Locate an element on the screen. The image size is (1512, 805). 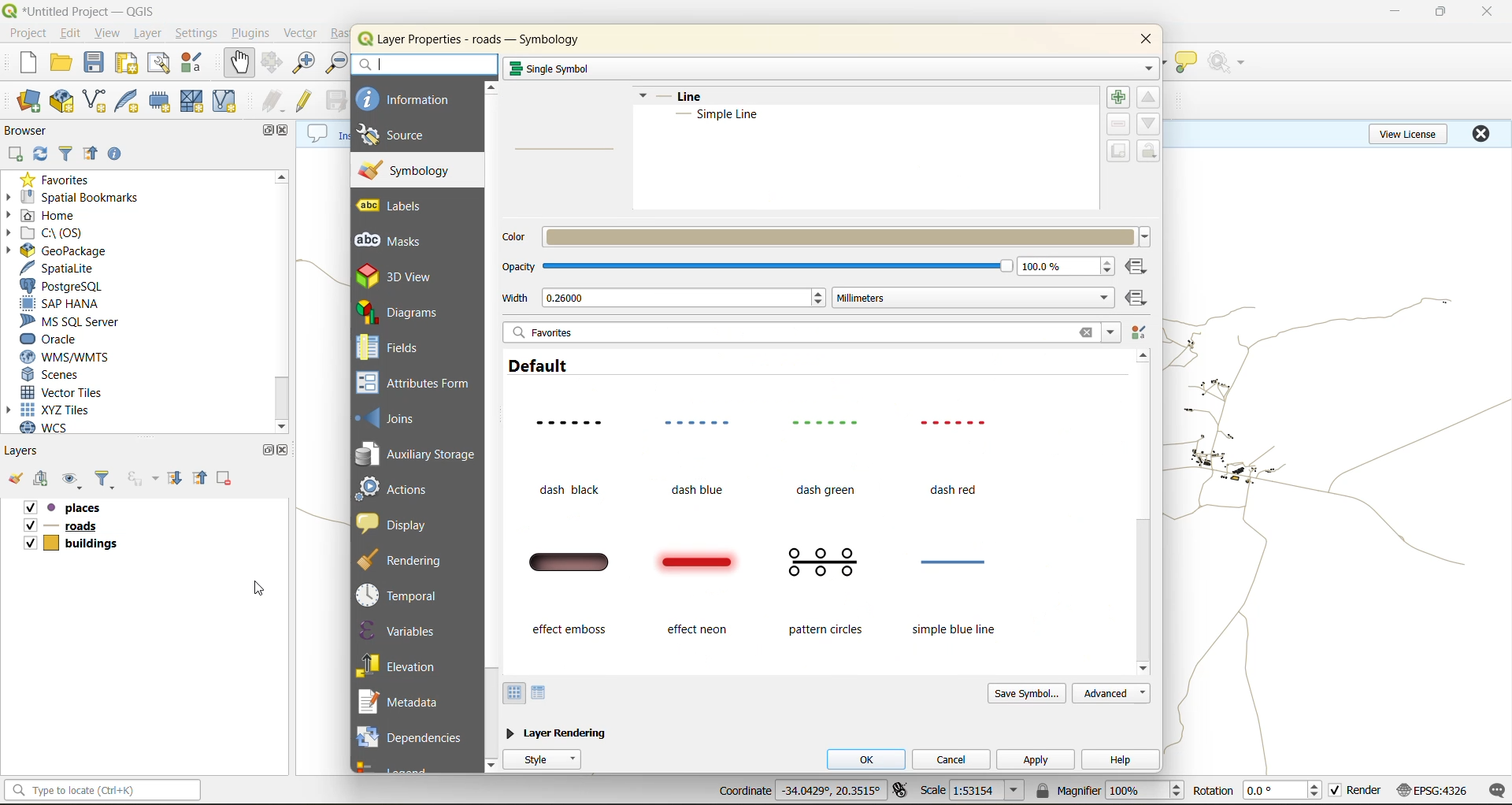
sap hana is located at coordinates (76, 303).